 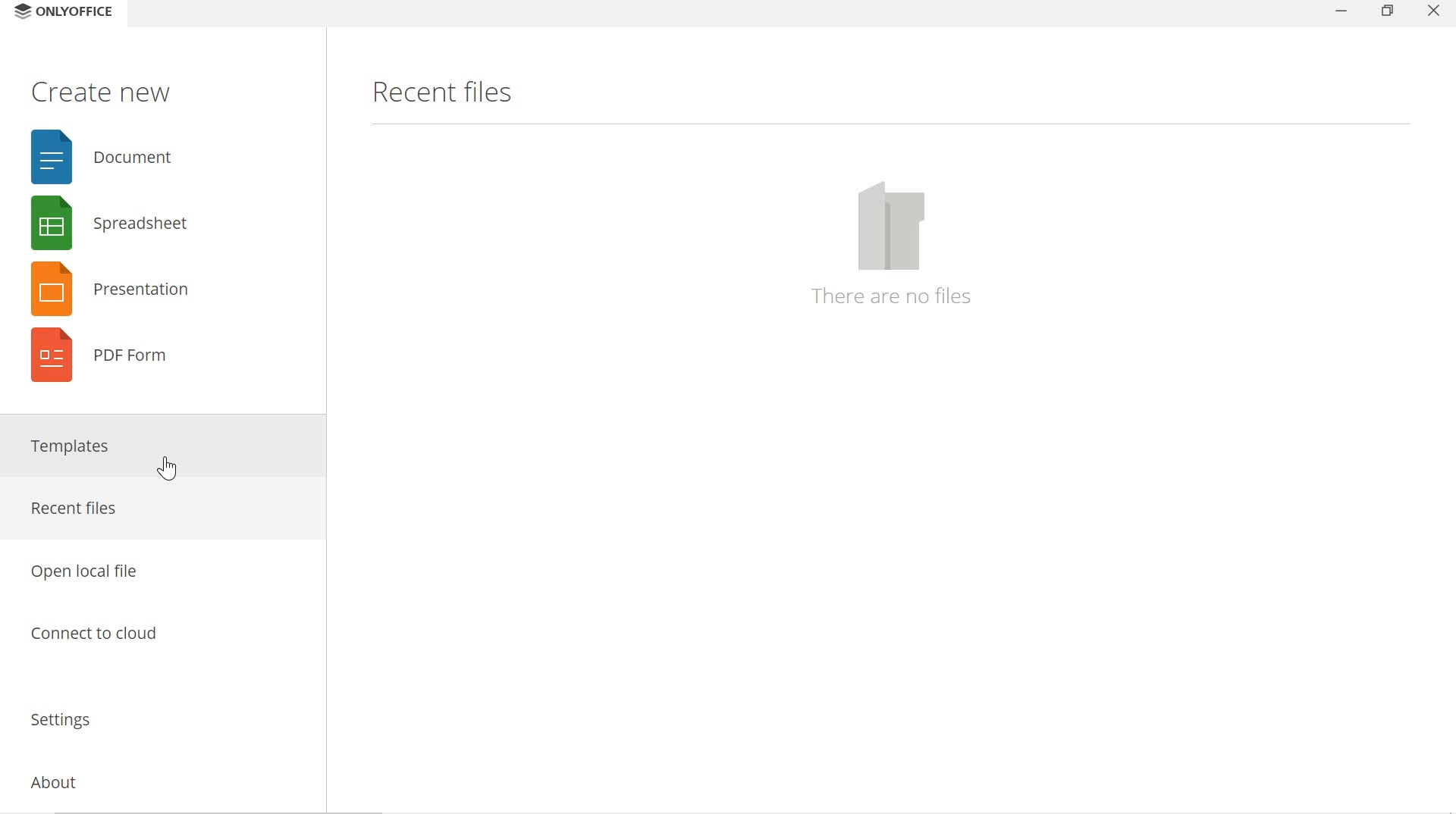 I want to click on PDF Form, so click(x=104, y=362).